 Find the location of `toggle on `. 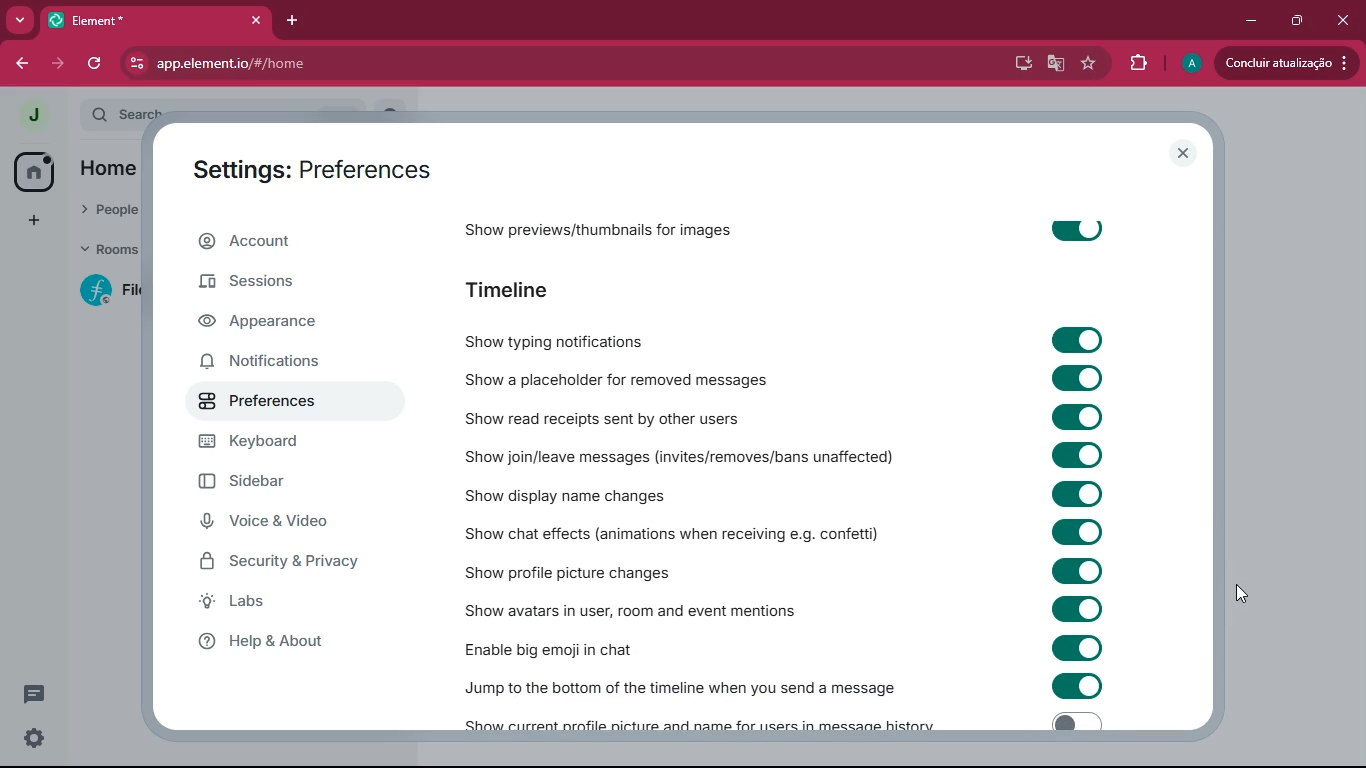

toggle on  is located at coordinates (1075, 721).